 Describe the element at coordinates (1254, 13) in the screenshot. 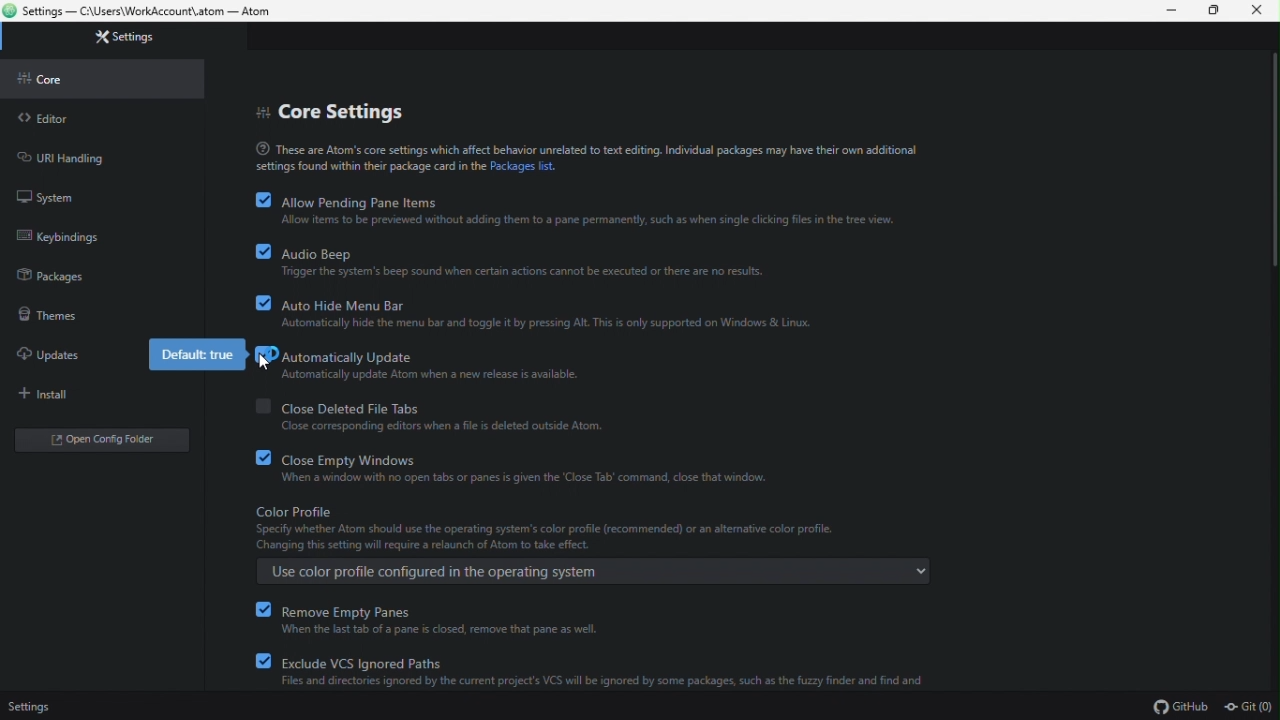

I see `Close` at that location.